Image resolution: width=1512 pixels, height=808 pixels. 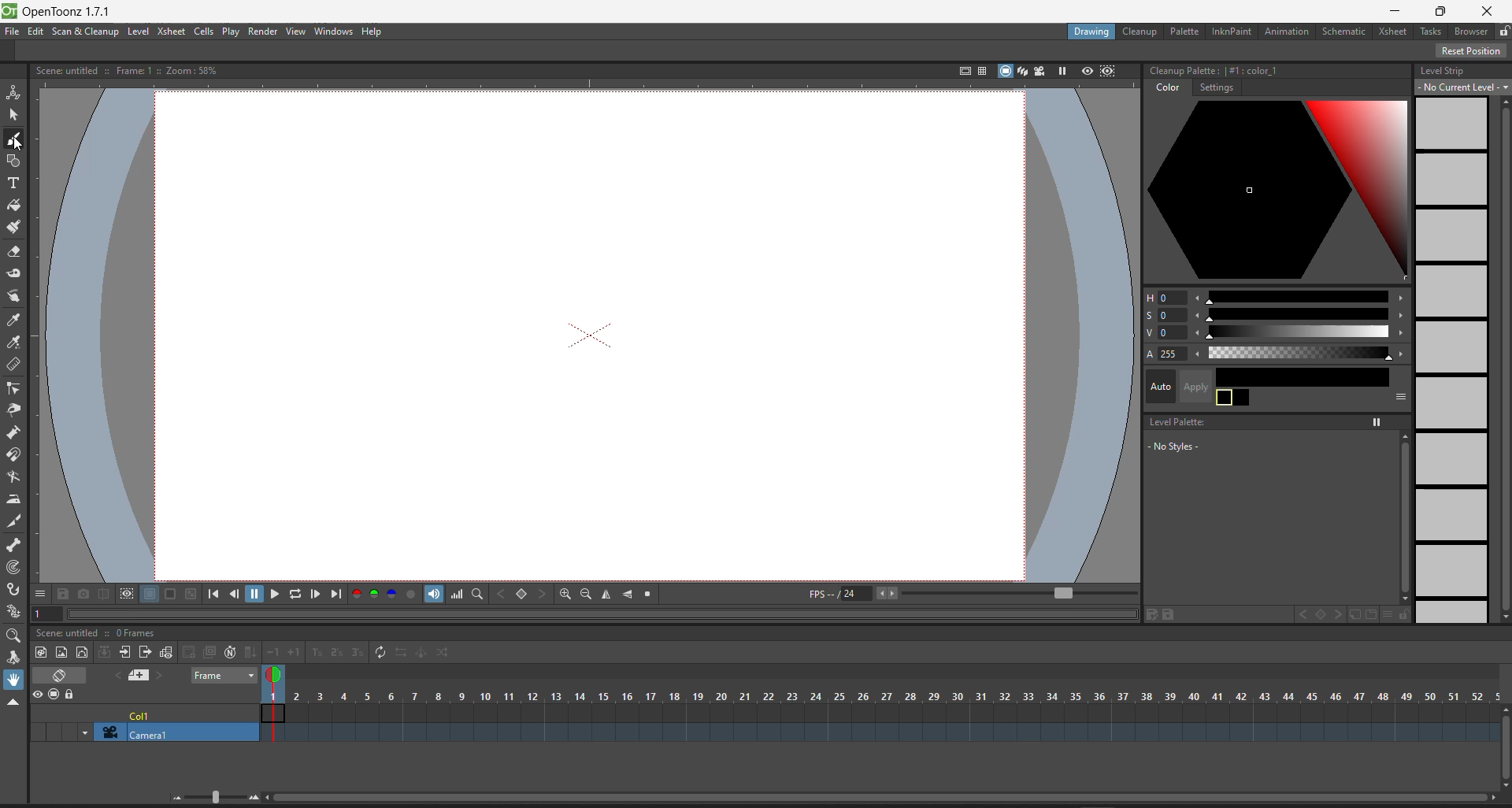 I want to click on create blank drawing, so click(x=187, y=652).